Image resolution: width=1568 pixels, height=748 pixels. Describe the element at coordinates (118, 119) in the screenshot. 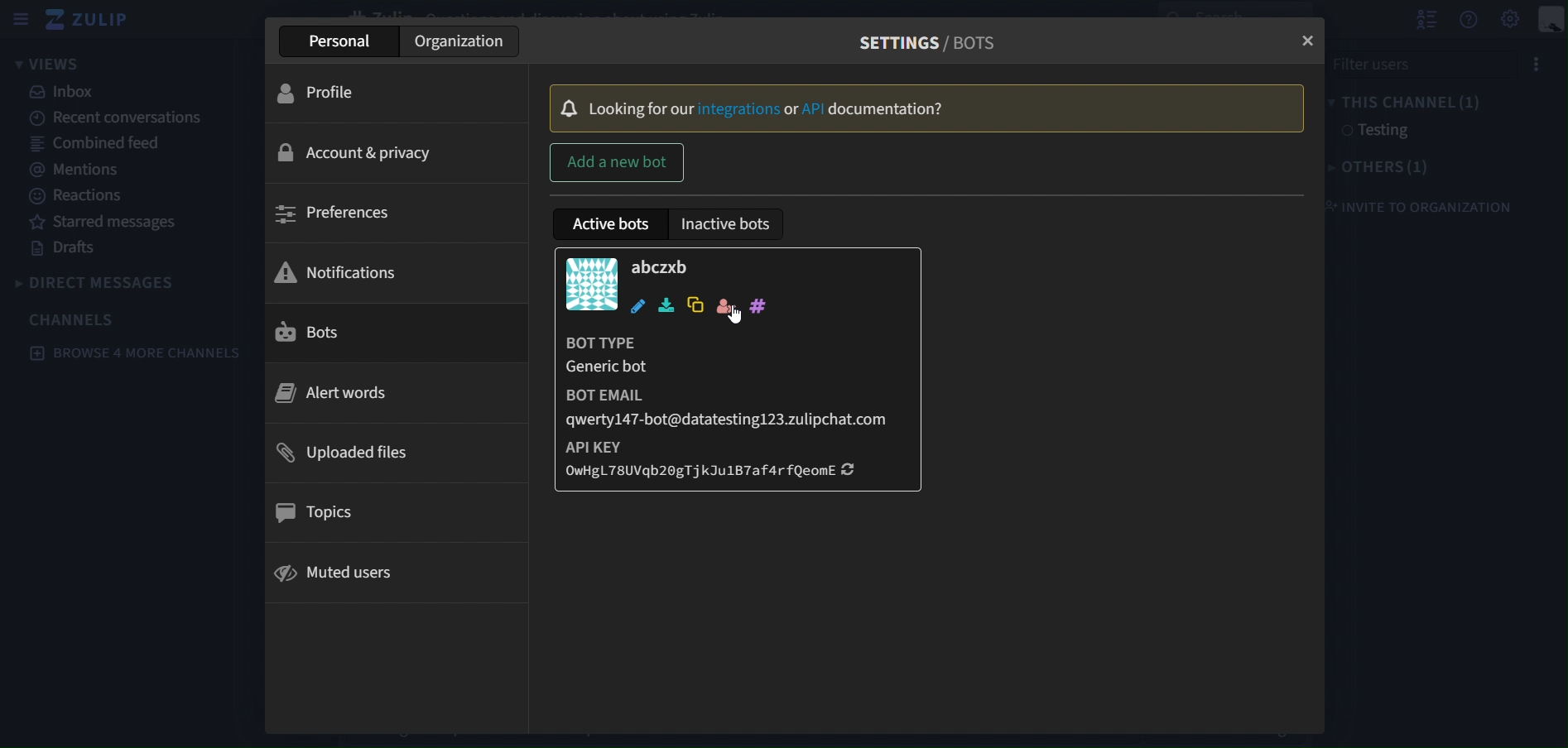

I see `recent conversations` at that location.